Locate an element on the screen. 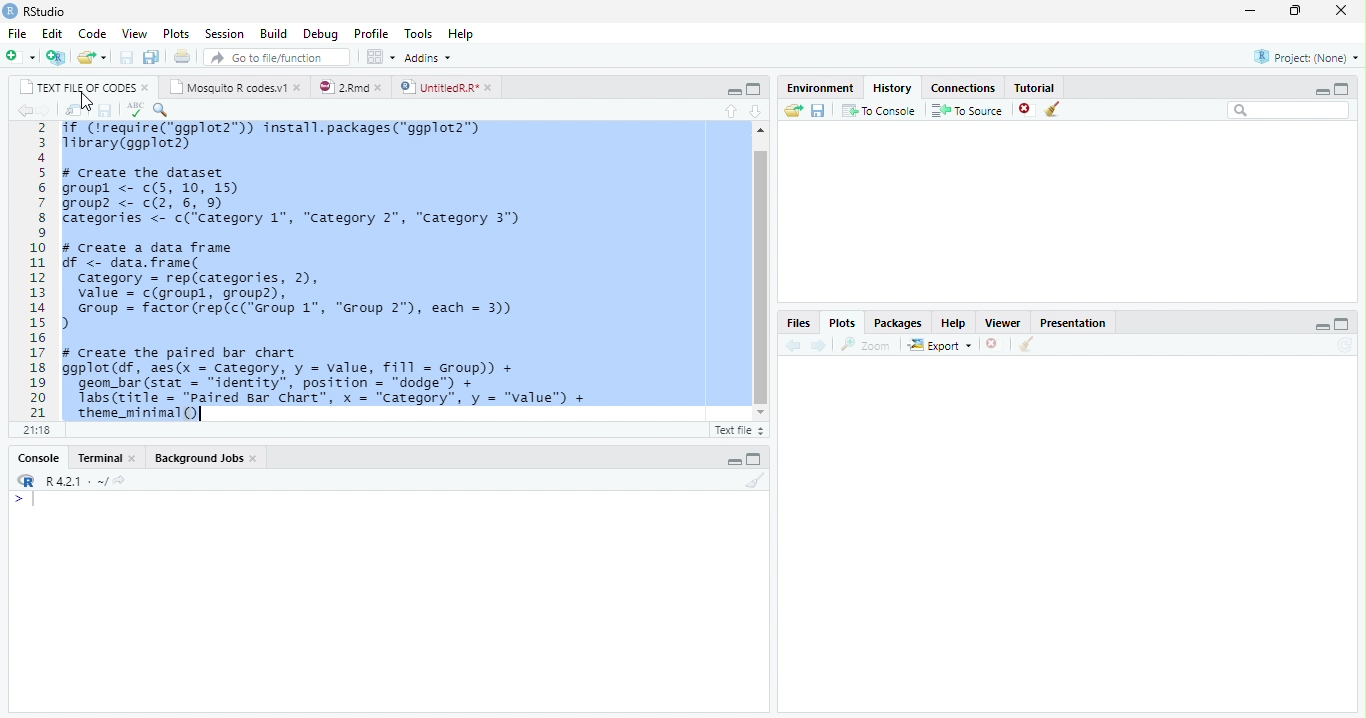 This screenshot has height=718, width=1366. 2 3 4 5 6 7 8 9 10 11 12 13 14 15 16 17 18 19 20 21 is located at coordinates (39, 270).